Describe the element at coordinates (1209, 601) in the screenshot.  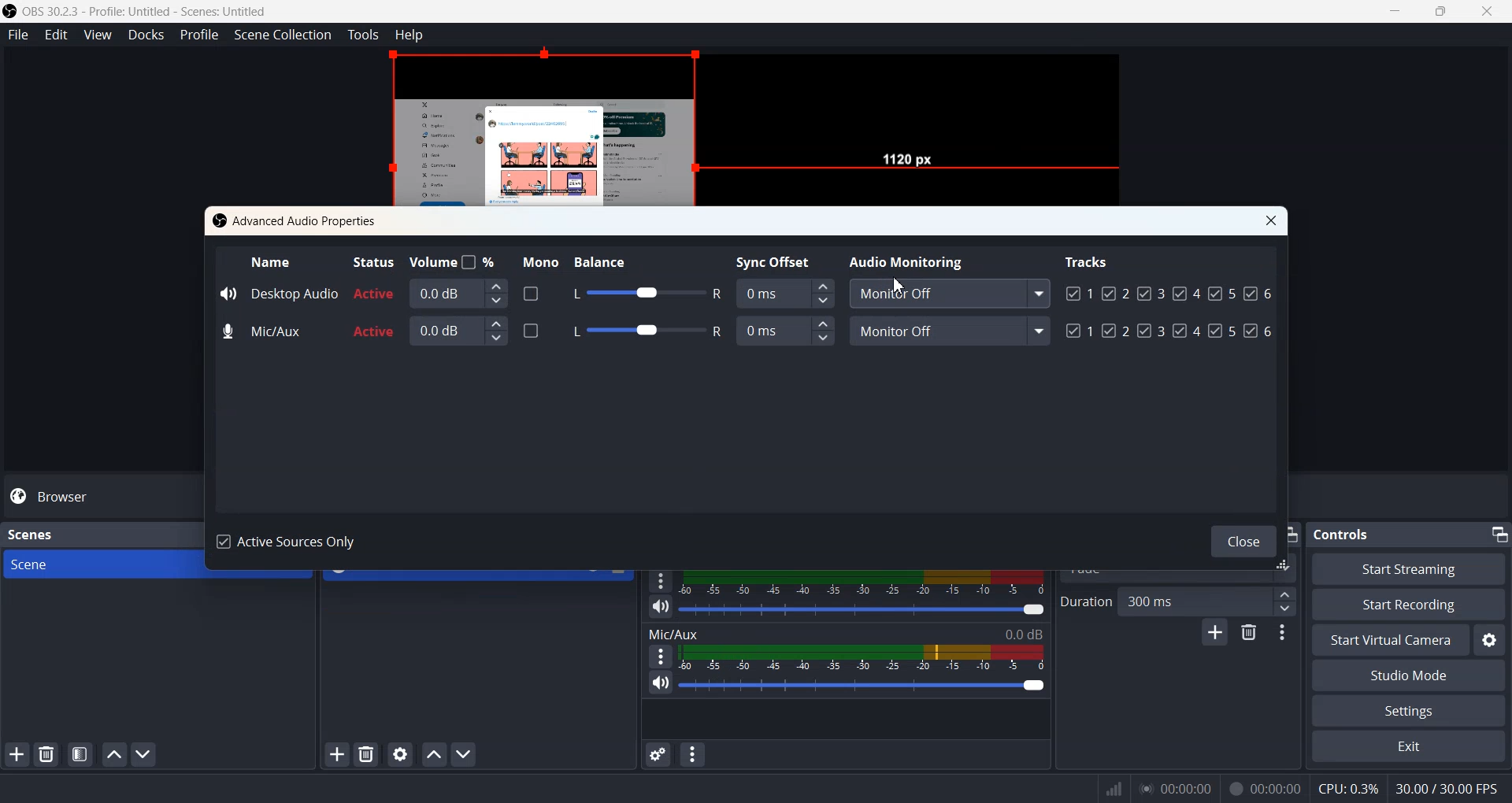
I see `300 ms` at that location.